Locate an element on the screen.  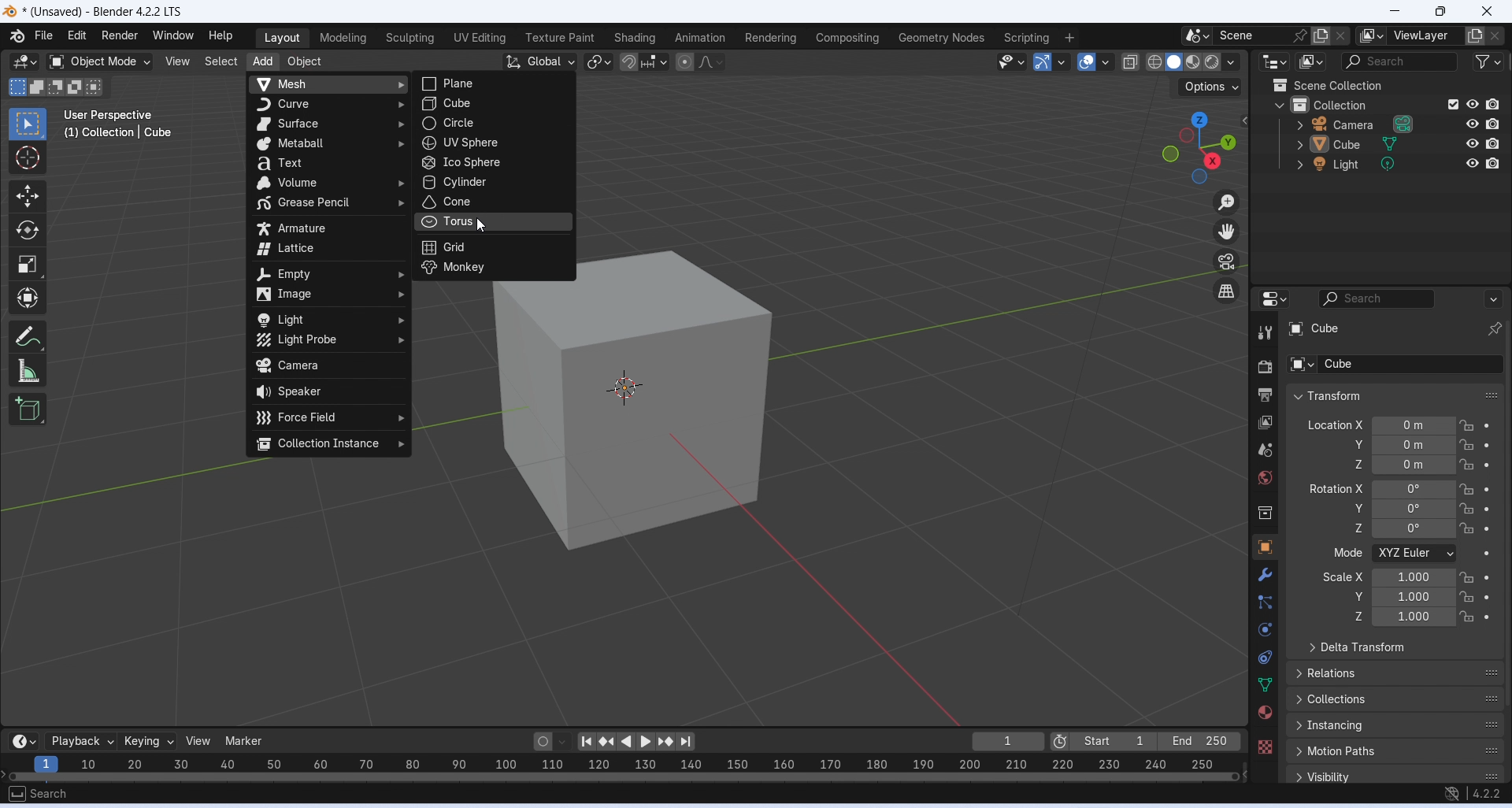
Jump to keyframe is located at coordinates (608, 741).